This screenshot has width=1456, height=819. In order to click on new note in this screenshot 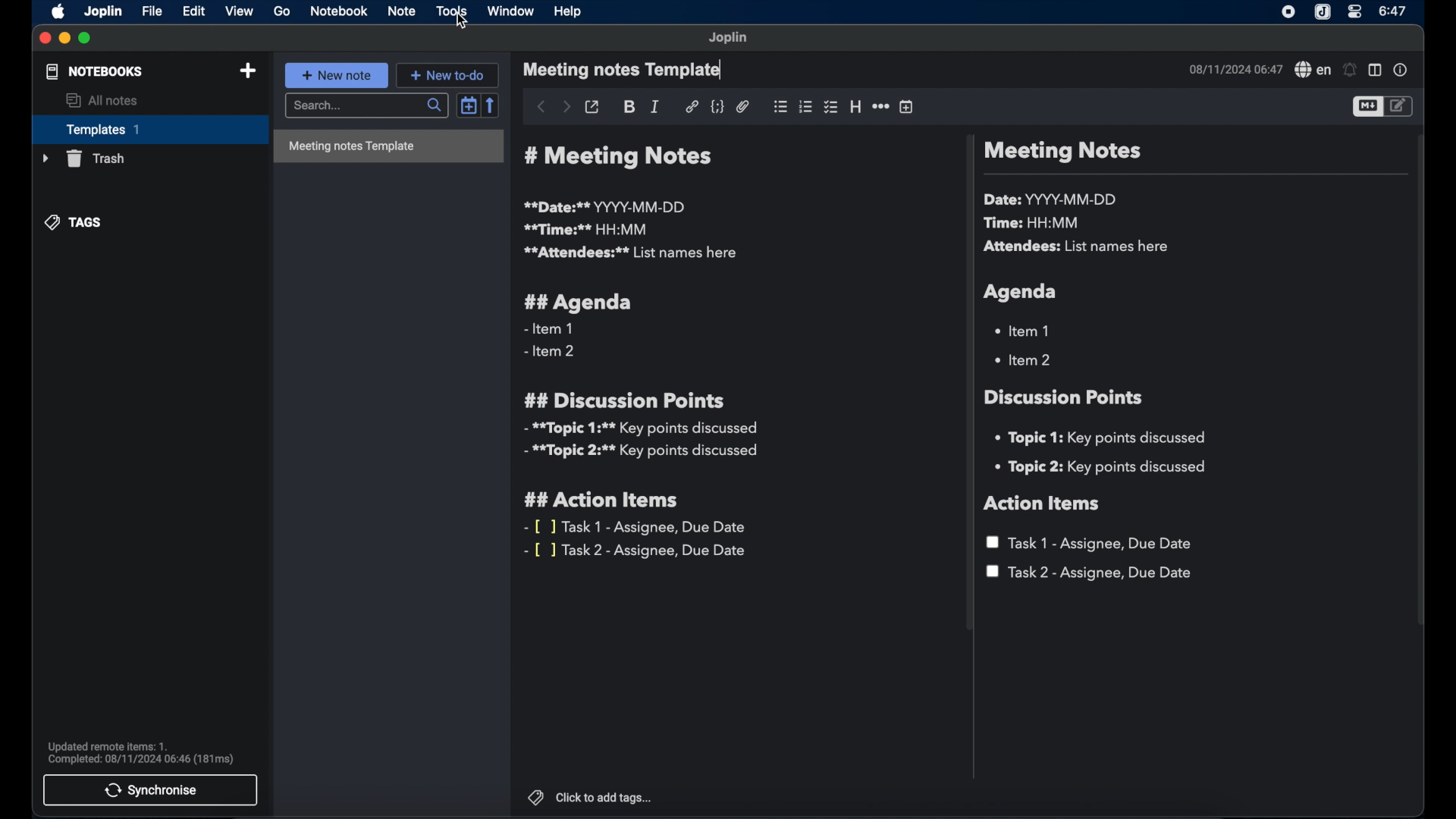, I will do `click(337, 75)`.